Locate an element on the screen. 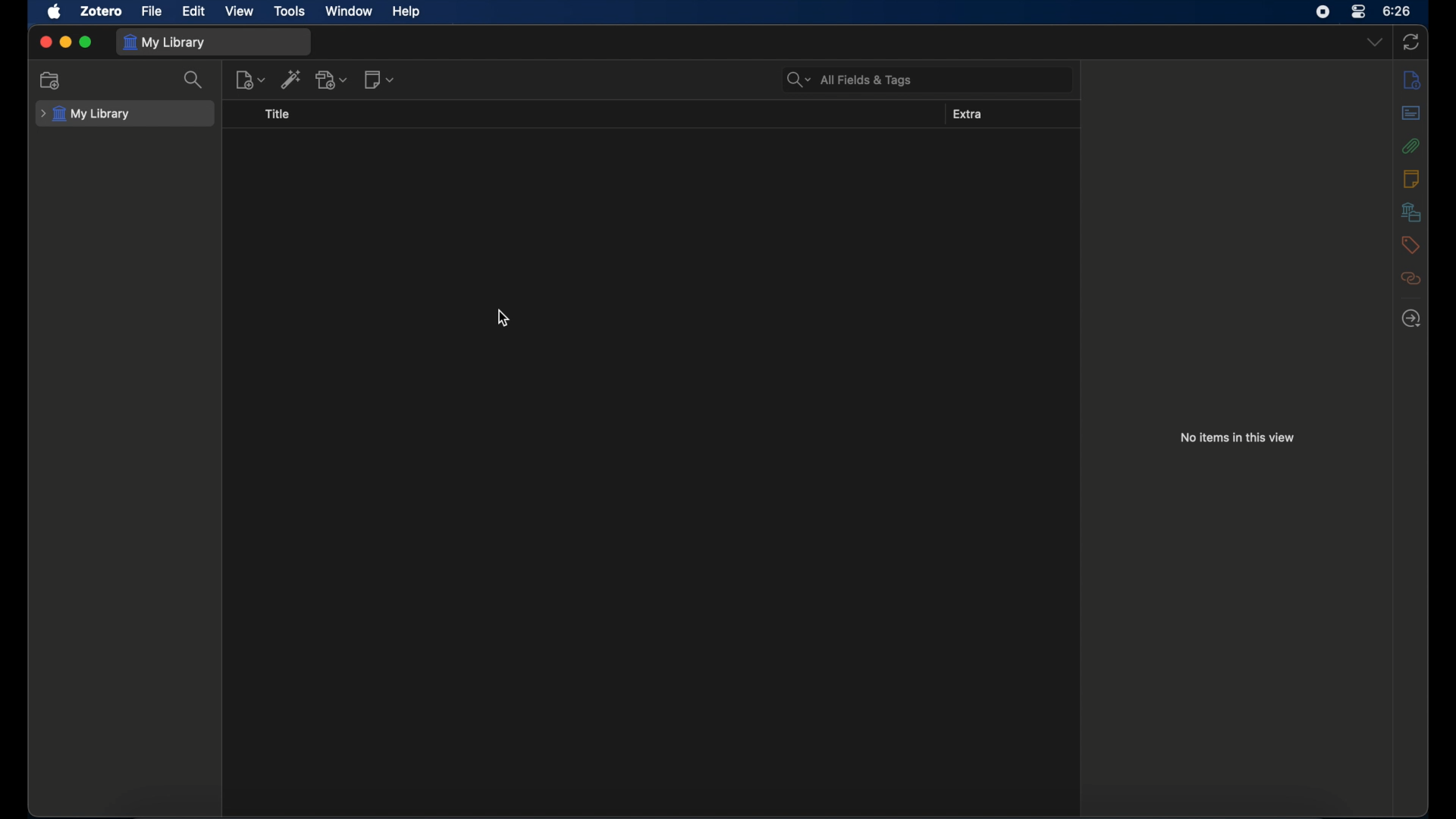 Image resolution: width=1456 pixels, height=819 pixels. file is located at coordinates (151, 11).